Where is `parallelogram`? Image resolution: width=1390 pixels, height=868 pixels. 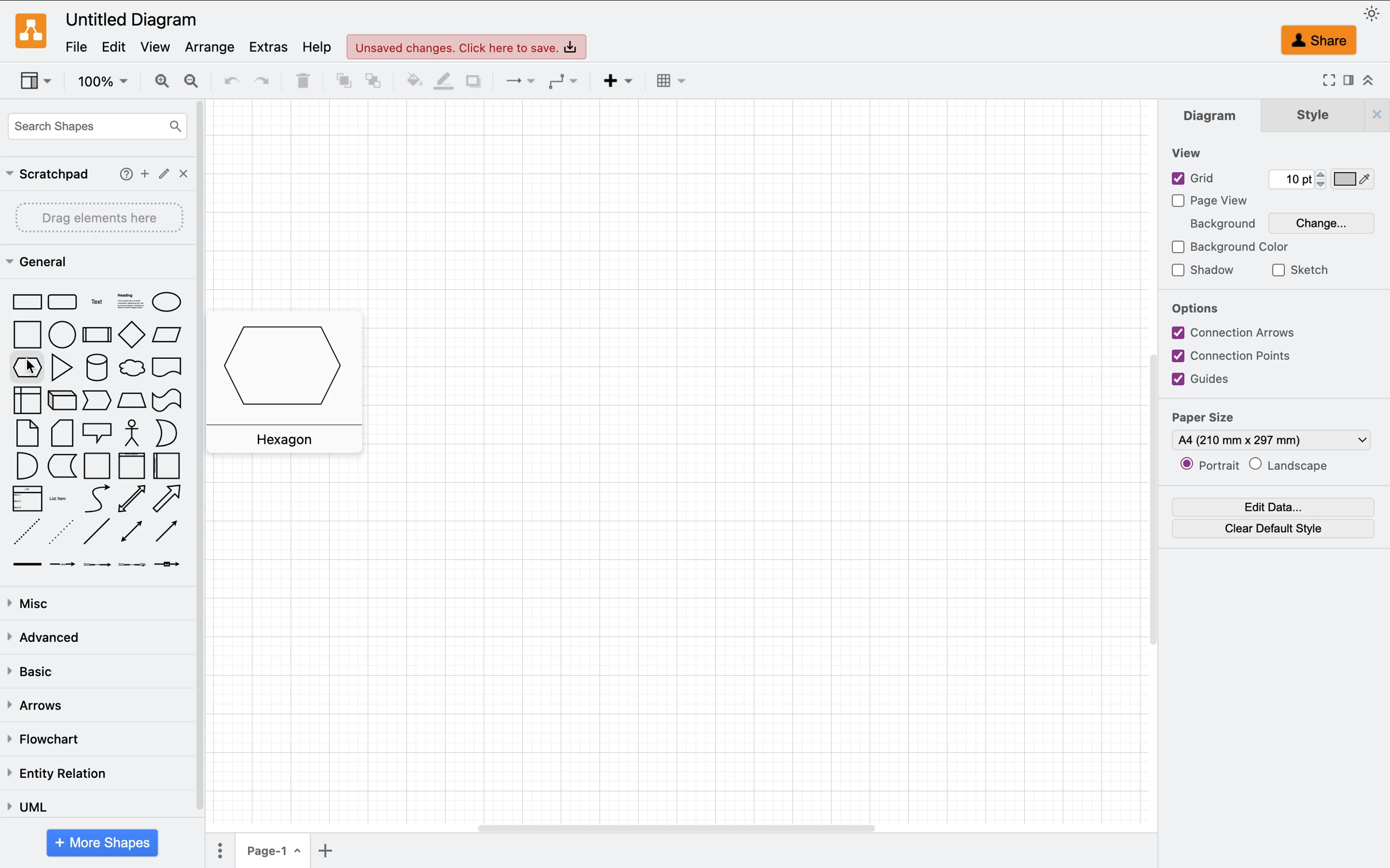 parallelogram is located at coordinates (171, 334).